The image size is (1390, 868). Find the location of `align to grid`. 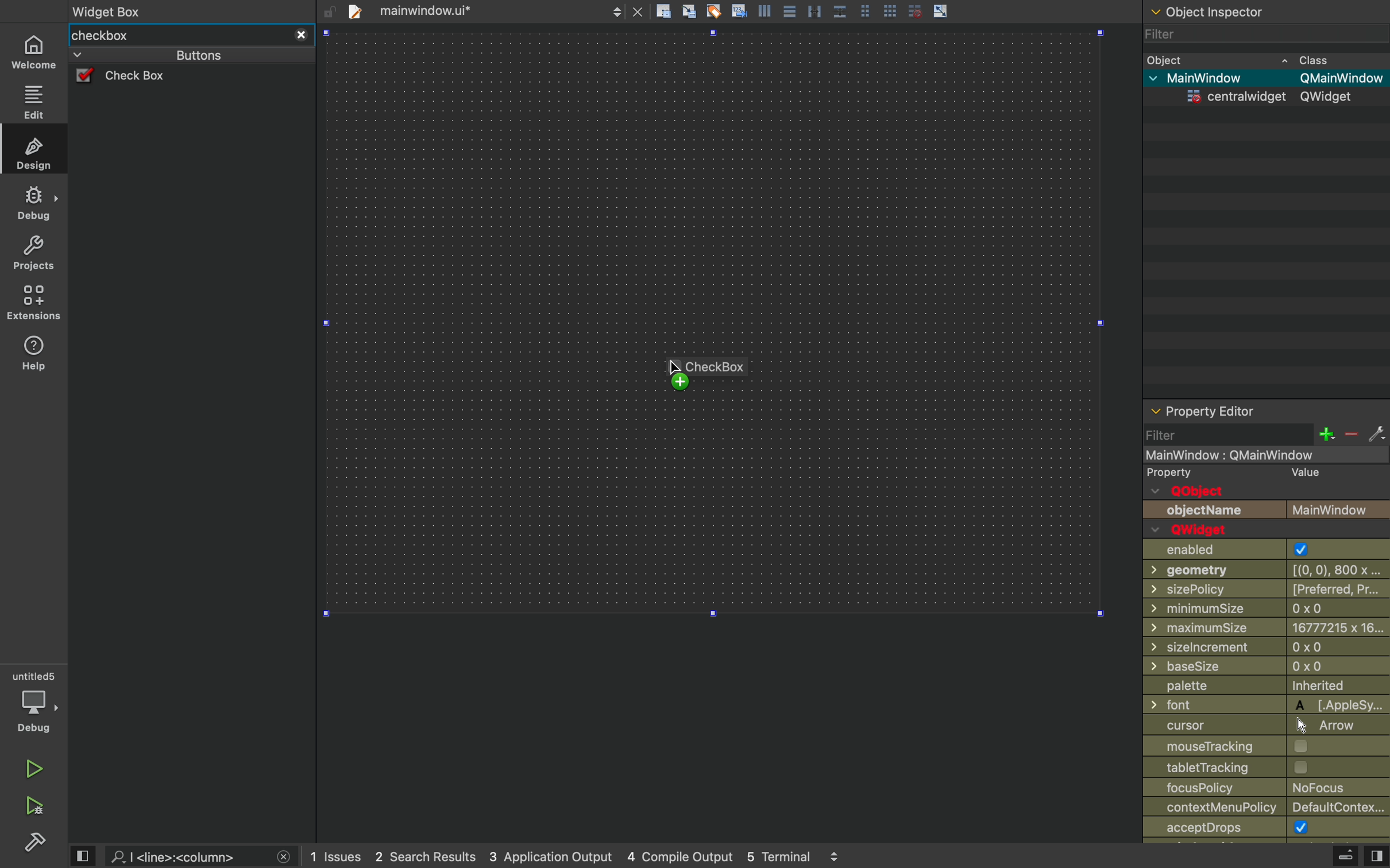

align to grid is located at coordinates (688, 10).